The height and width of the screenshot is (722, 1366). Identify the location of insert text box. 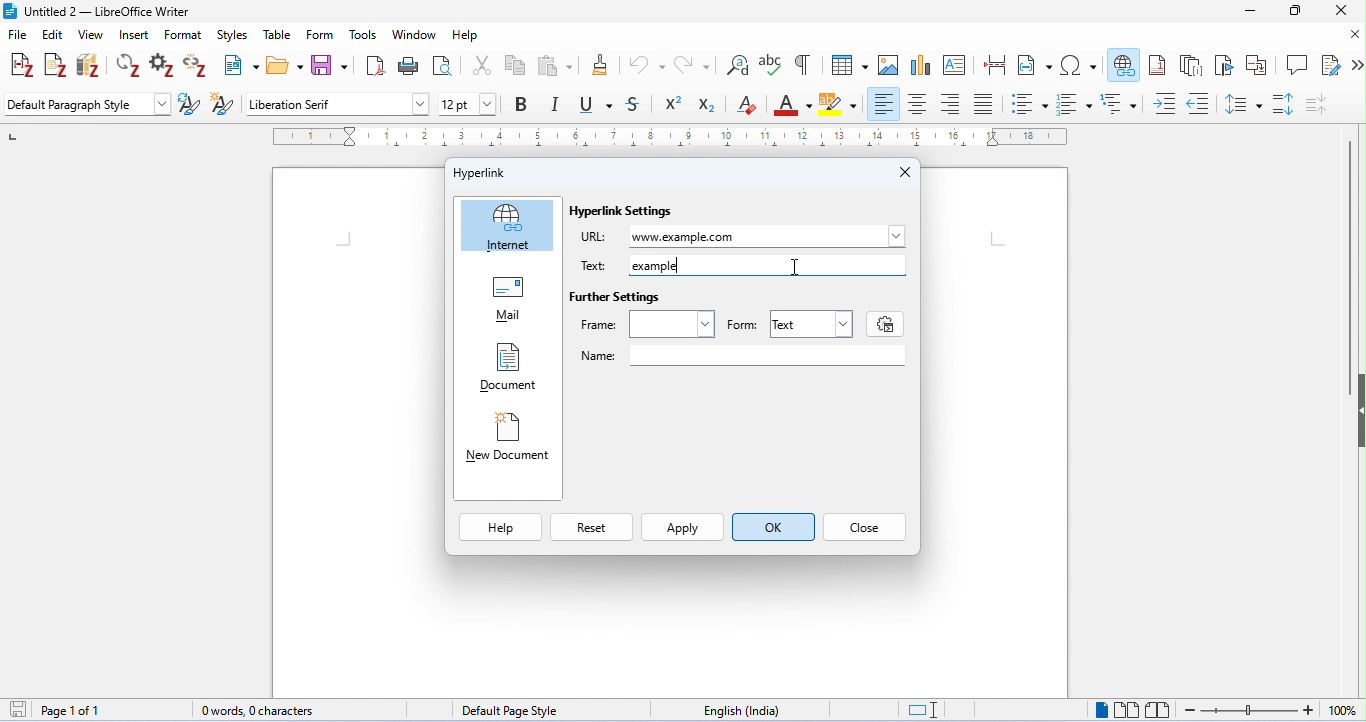
(959, 66).